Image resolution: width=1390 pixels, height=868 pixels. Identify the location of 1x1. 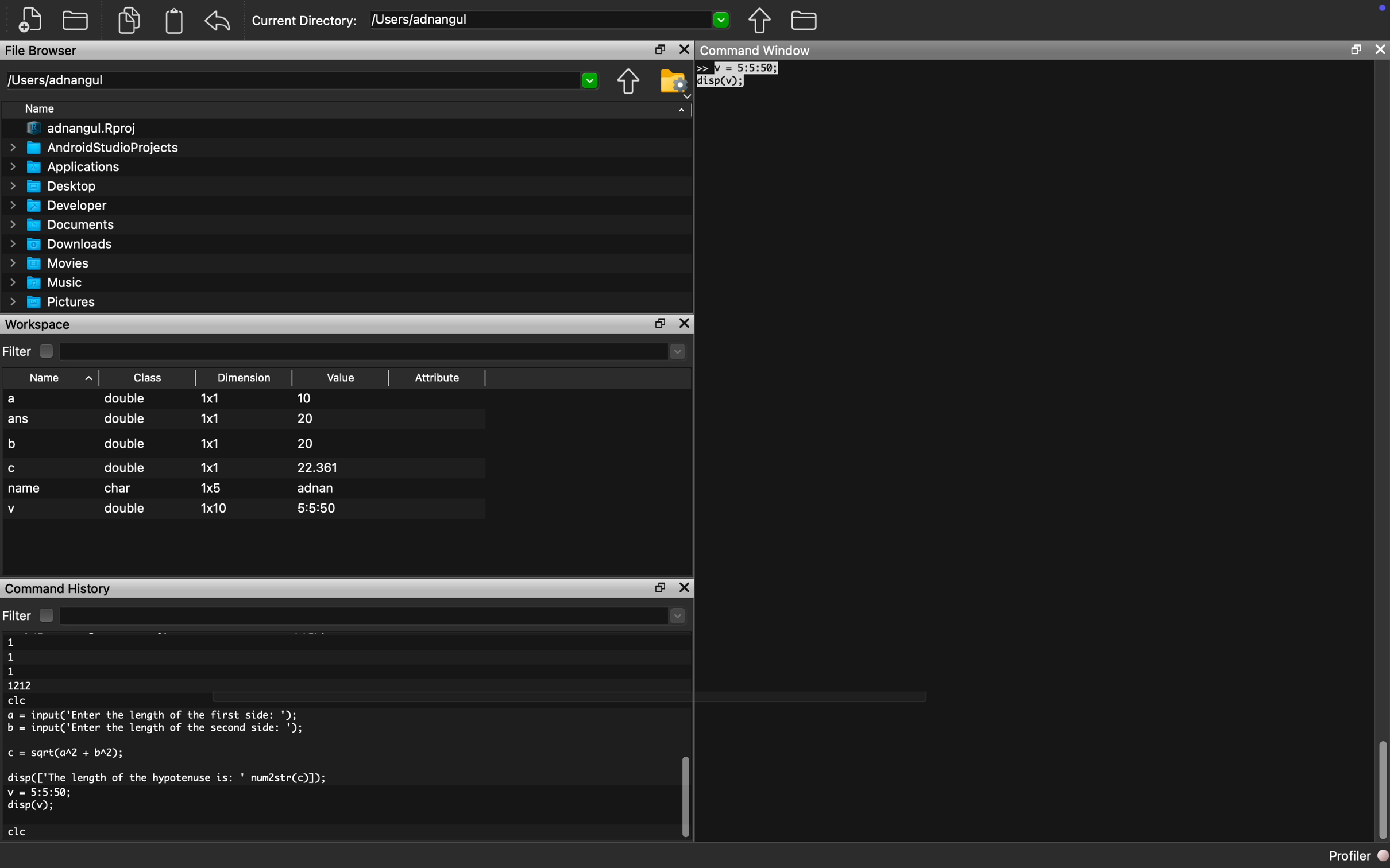
(213, 419).